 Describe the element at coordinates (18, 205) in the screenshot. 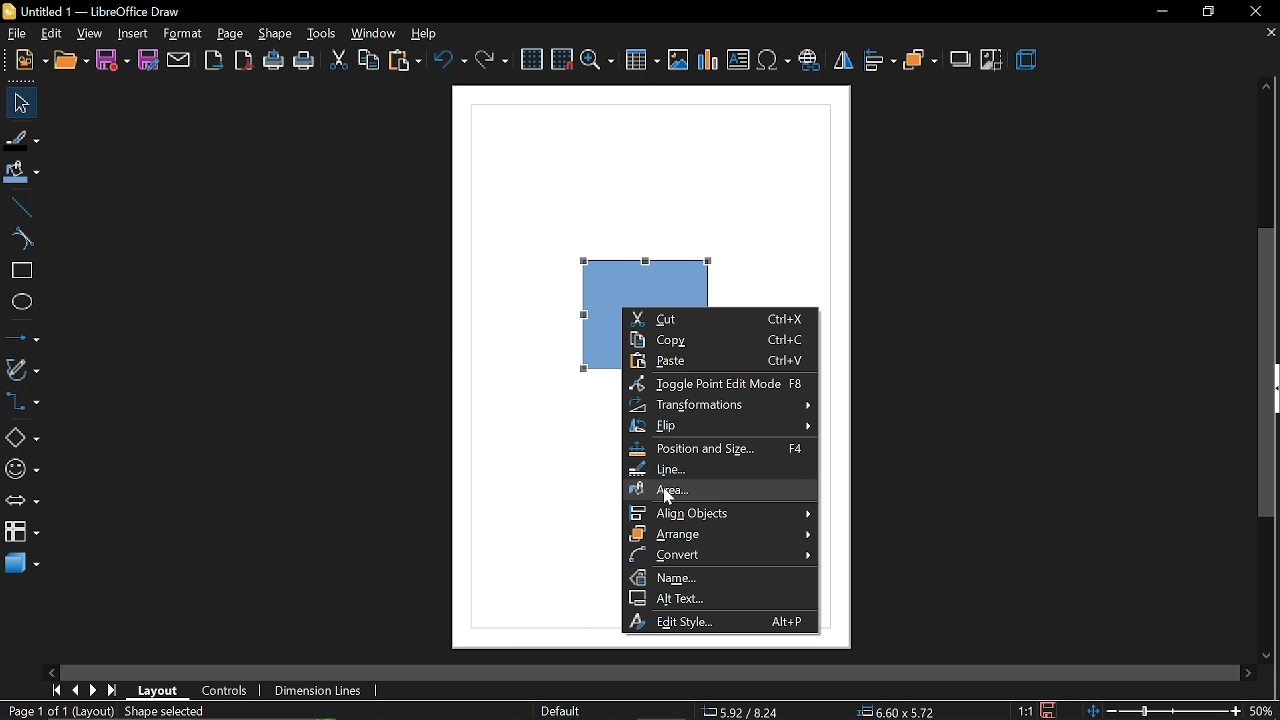

I see `Line` at that location.